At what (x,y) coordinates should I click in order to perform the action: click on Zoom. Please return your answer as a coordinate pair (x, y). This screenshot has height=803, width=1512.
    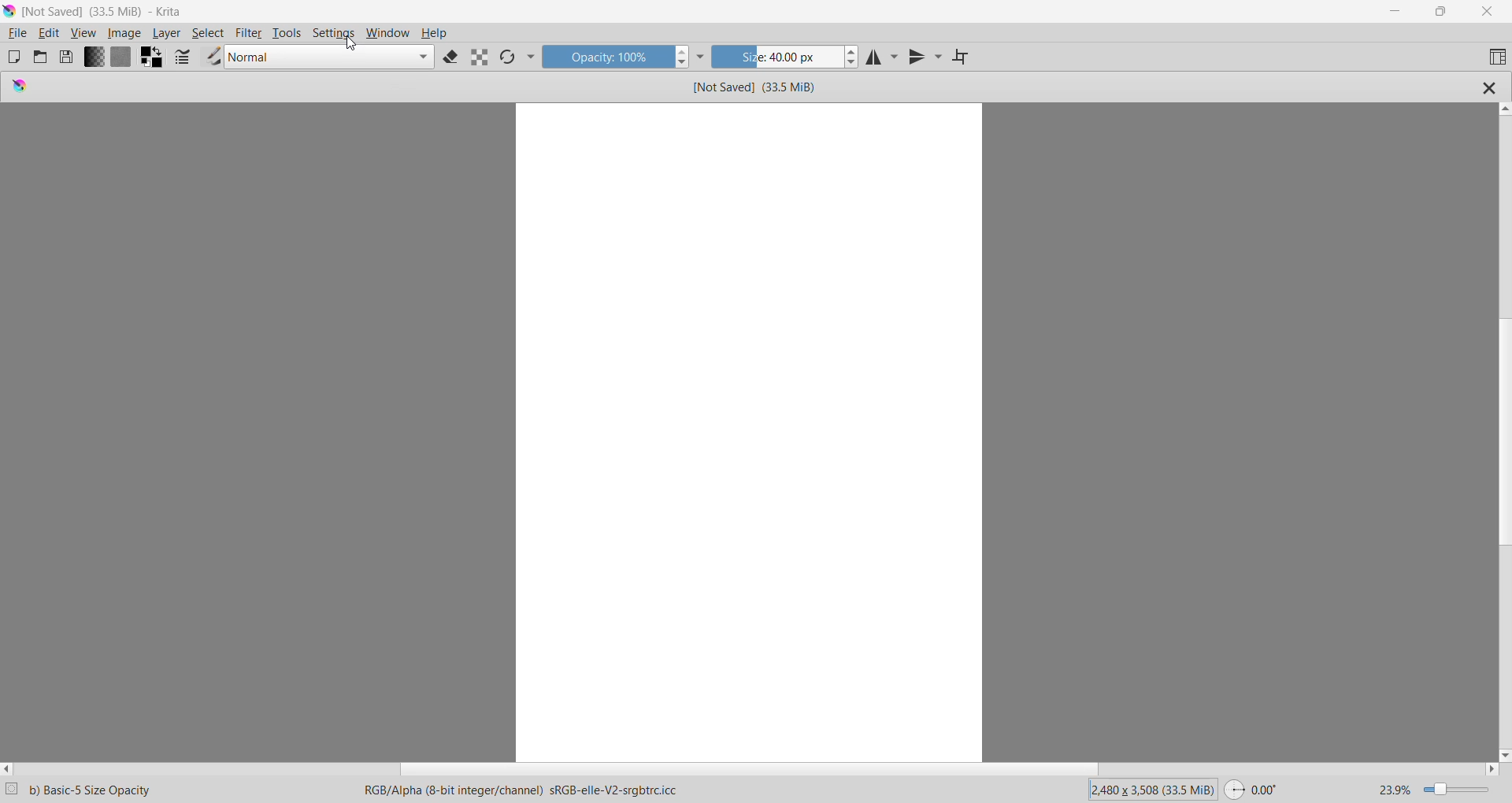
    Looking at the image, I should click on (1457, 790).